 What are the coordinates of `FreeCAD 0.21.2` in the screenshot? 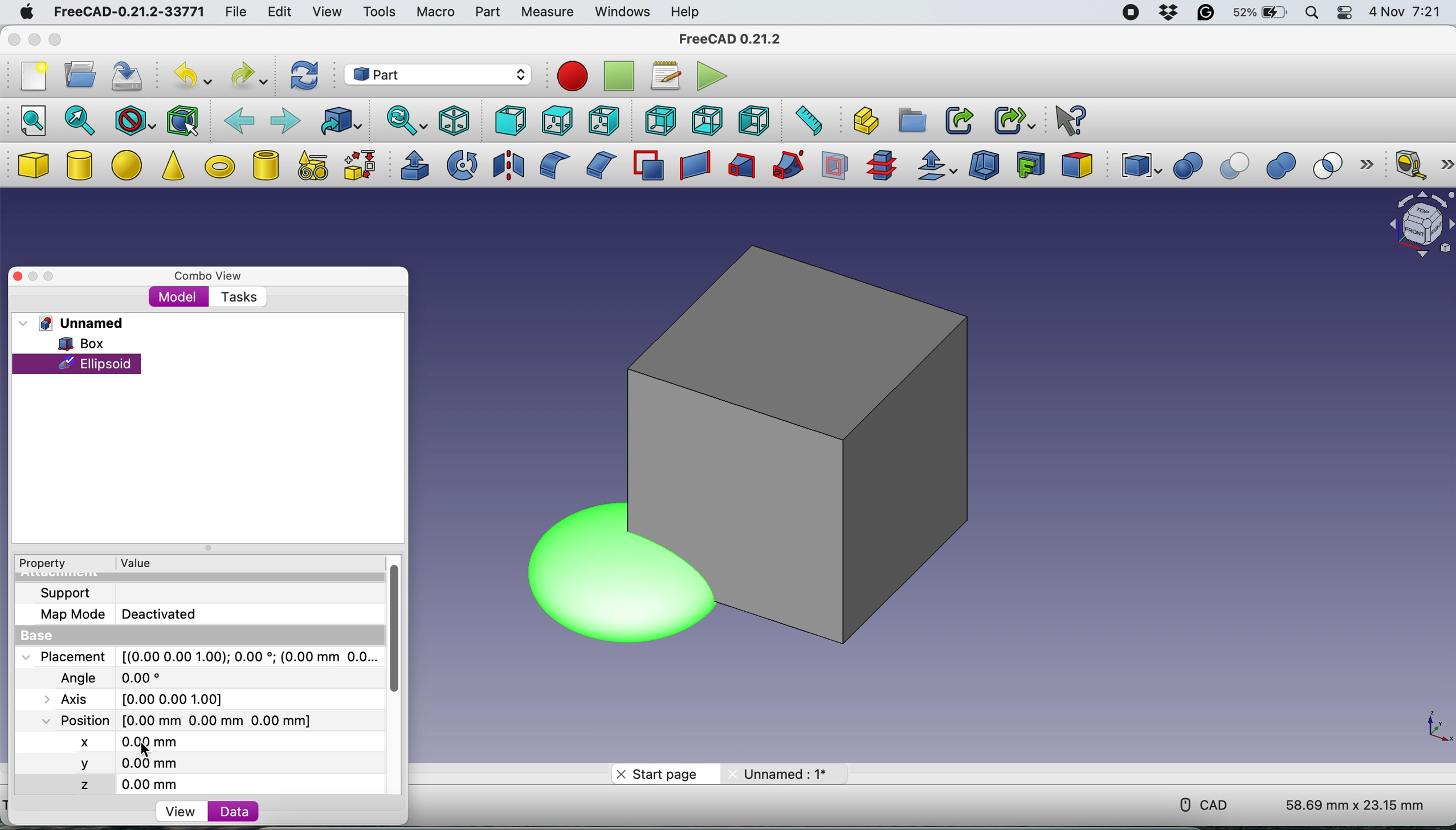 It's located at (731, 39).